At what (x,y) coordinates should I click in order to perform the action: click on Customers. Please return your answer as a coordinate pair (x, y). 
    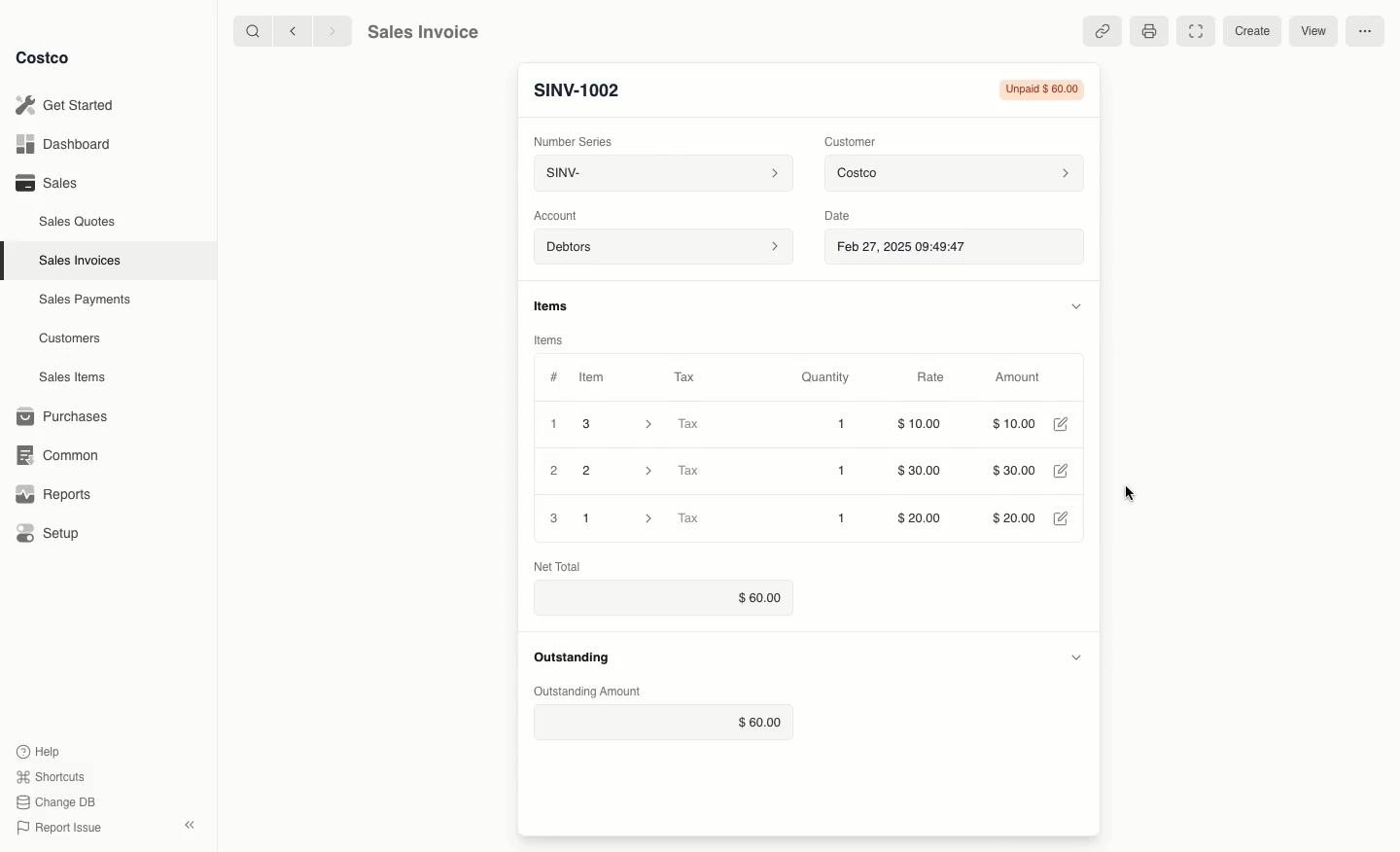
    Looking at the image, I should click on (73, 338).